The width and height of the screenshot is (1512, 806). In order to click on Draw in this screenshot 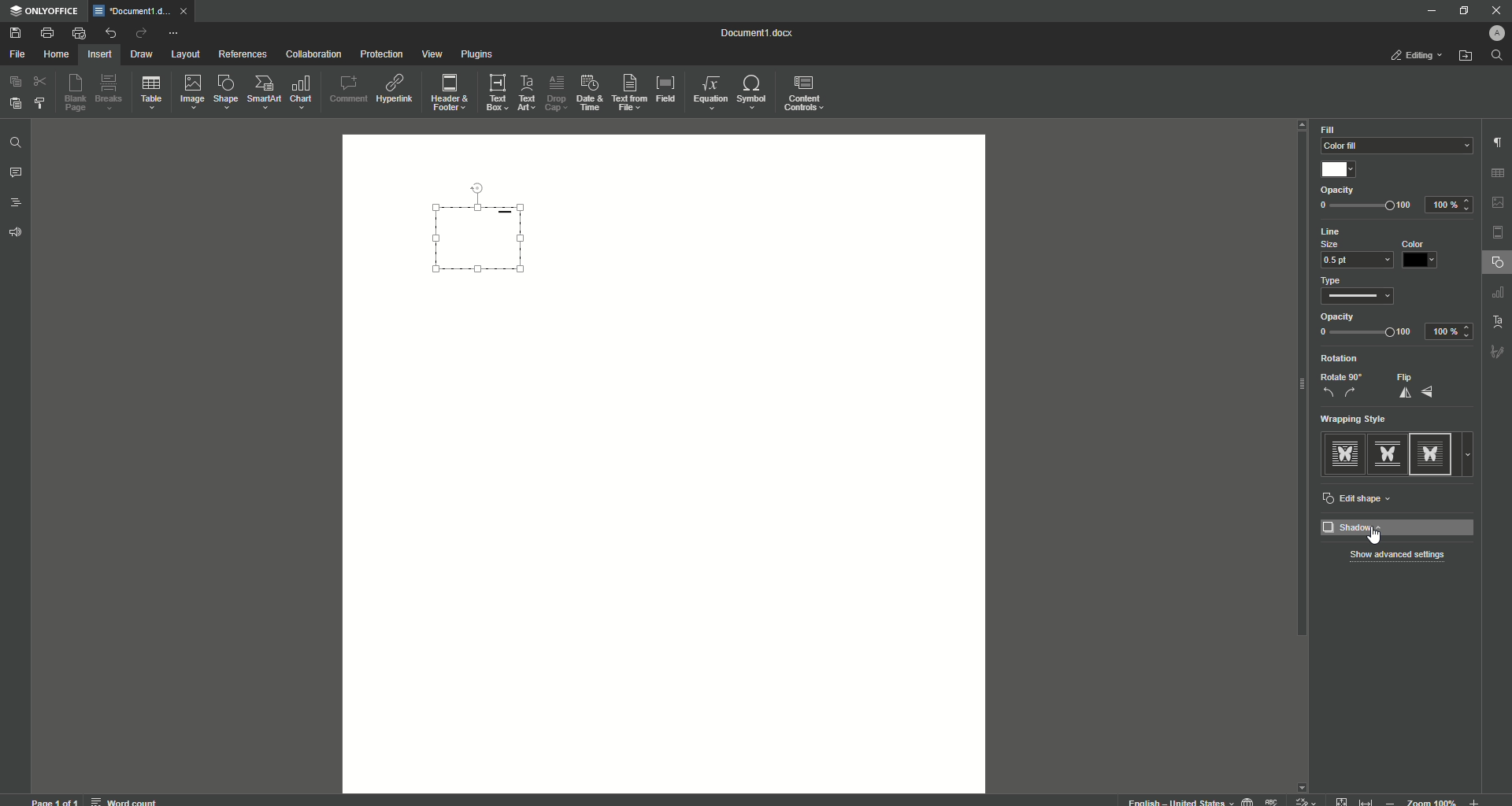, I will do `click(143, 55)`.